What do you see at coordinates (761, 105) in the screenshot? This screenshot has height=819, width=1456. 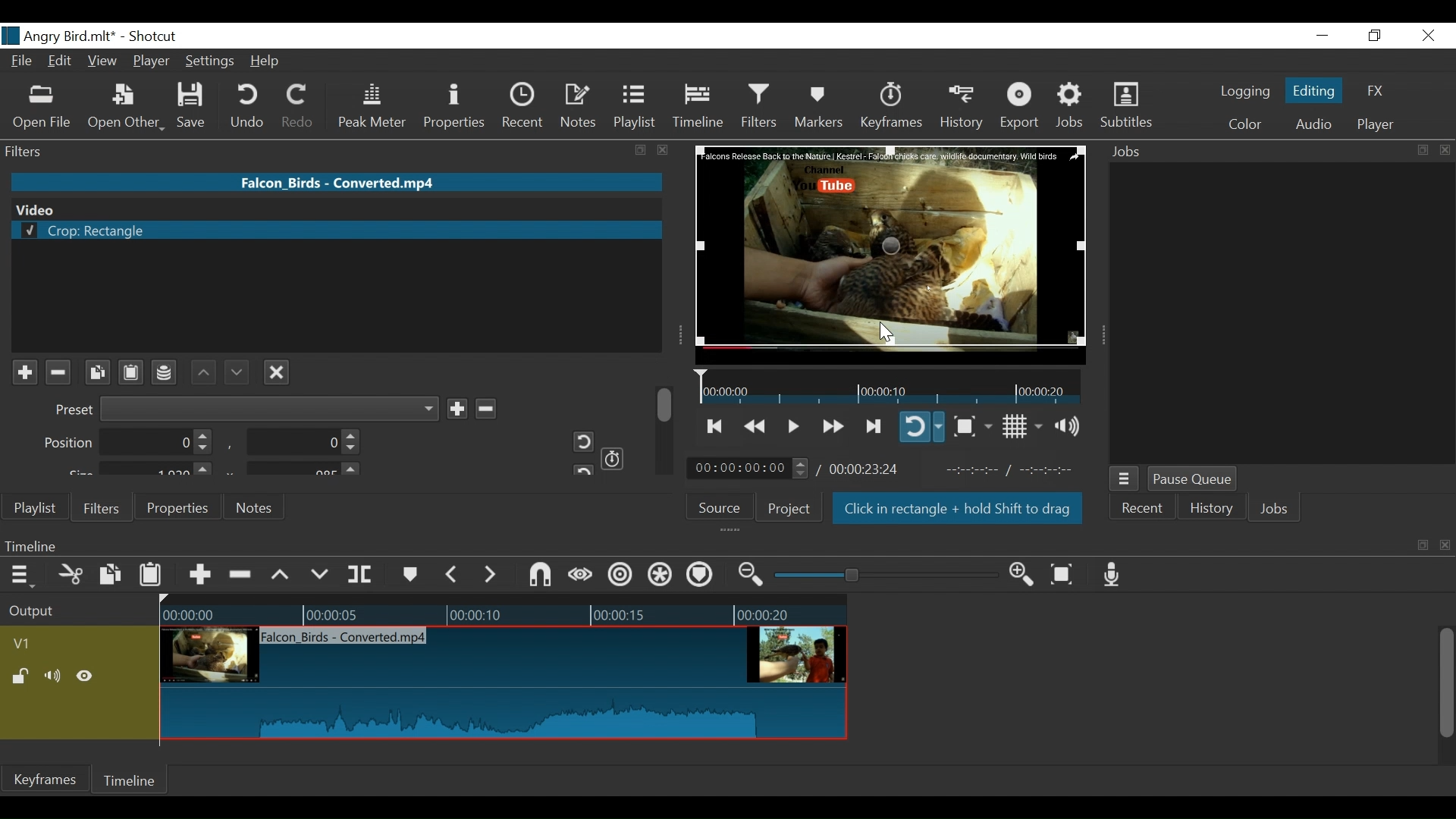 I see `Filters` at bounding box center [761, 105].